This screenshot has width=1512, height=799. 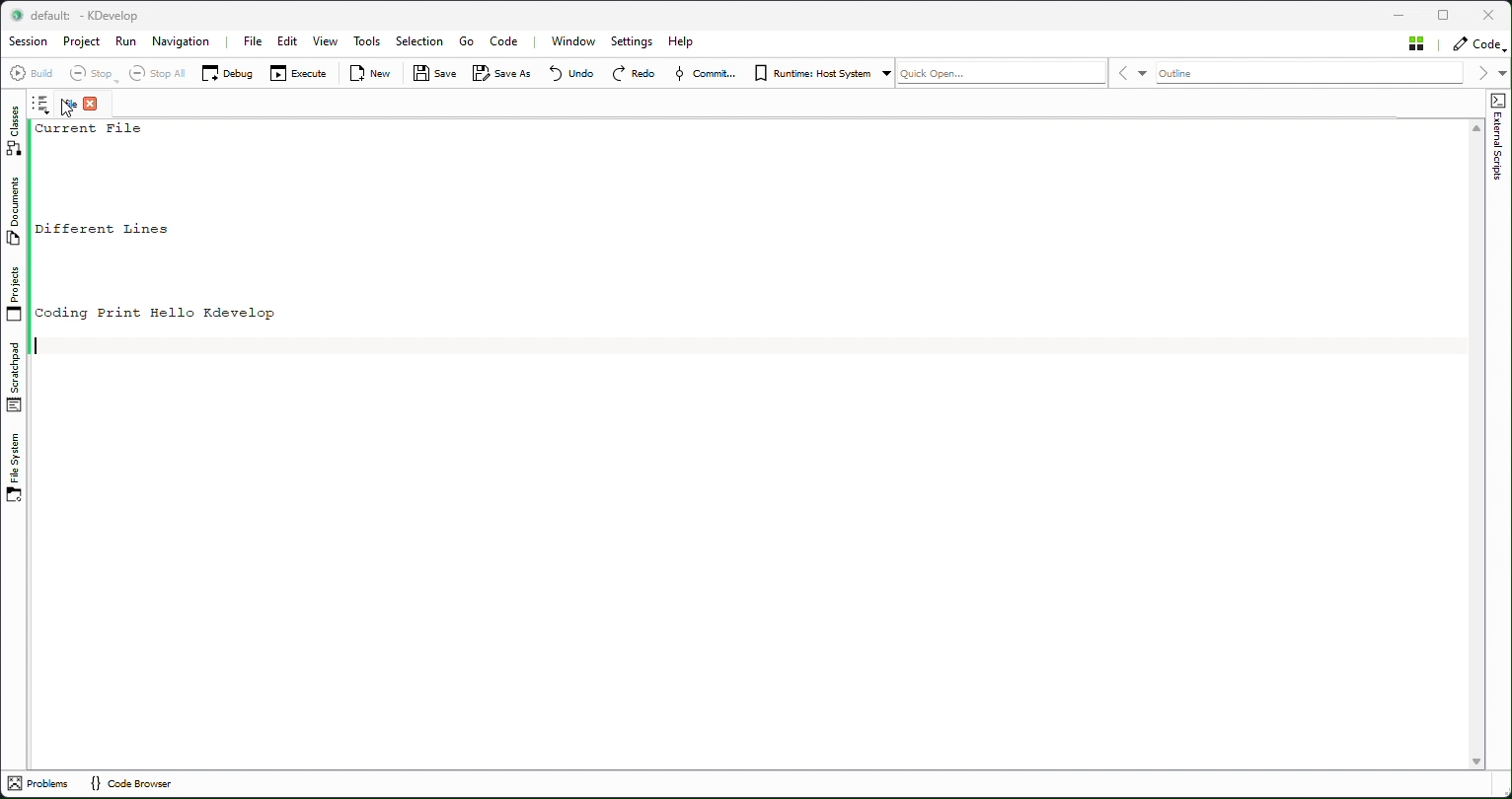 What do you see at coordinates (686, 40) in the screenshot?
I see `Help` at bounding box center [686, 40].